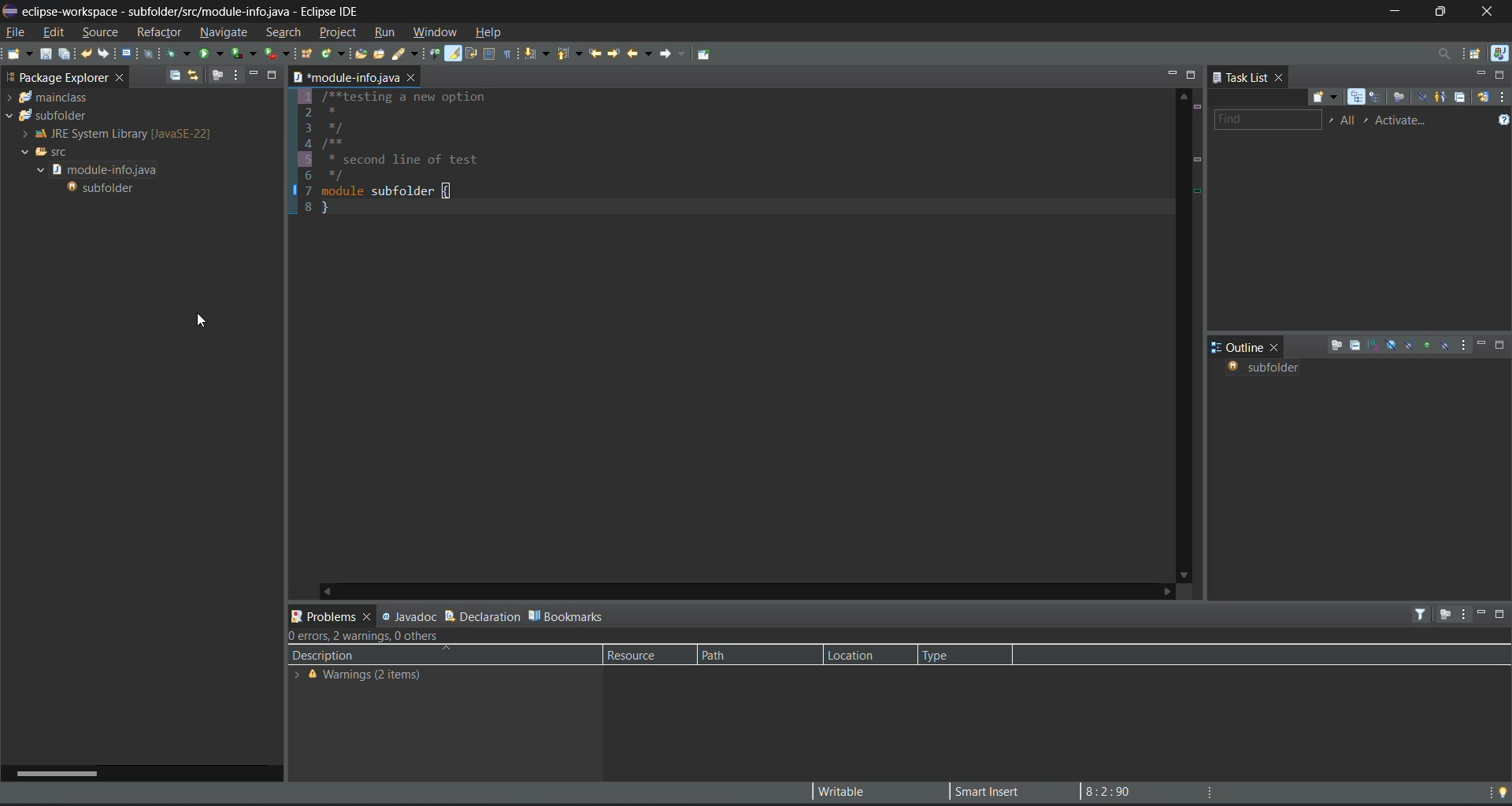  What do you see at coordinates (213, 52) in the screenshot?
I see `run` at bounding box center [213, 52].